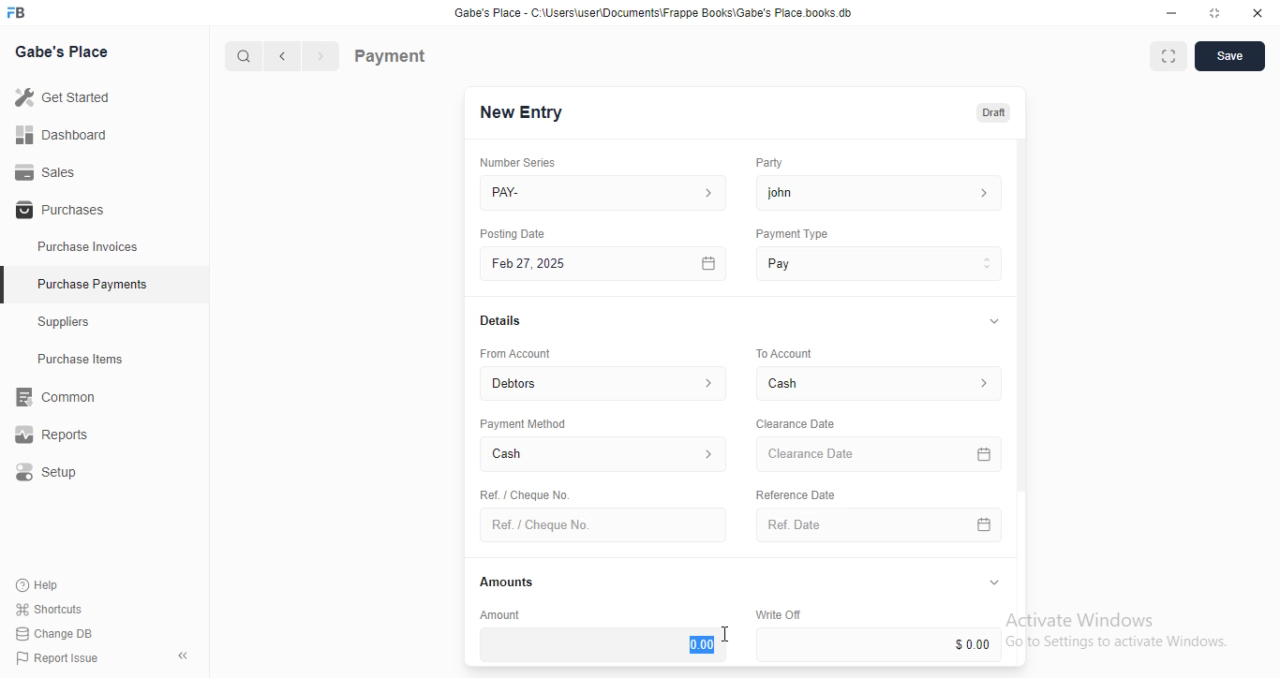  What do you see at coordinates (52, 658) in the screenshot?
I see `Report Issue` at bounding box center [52, 658].